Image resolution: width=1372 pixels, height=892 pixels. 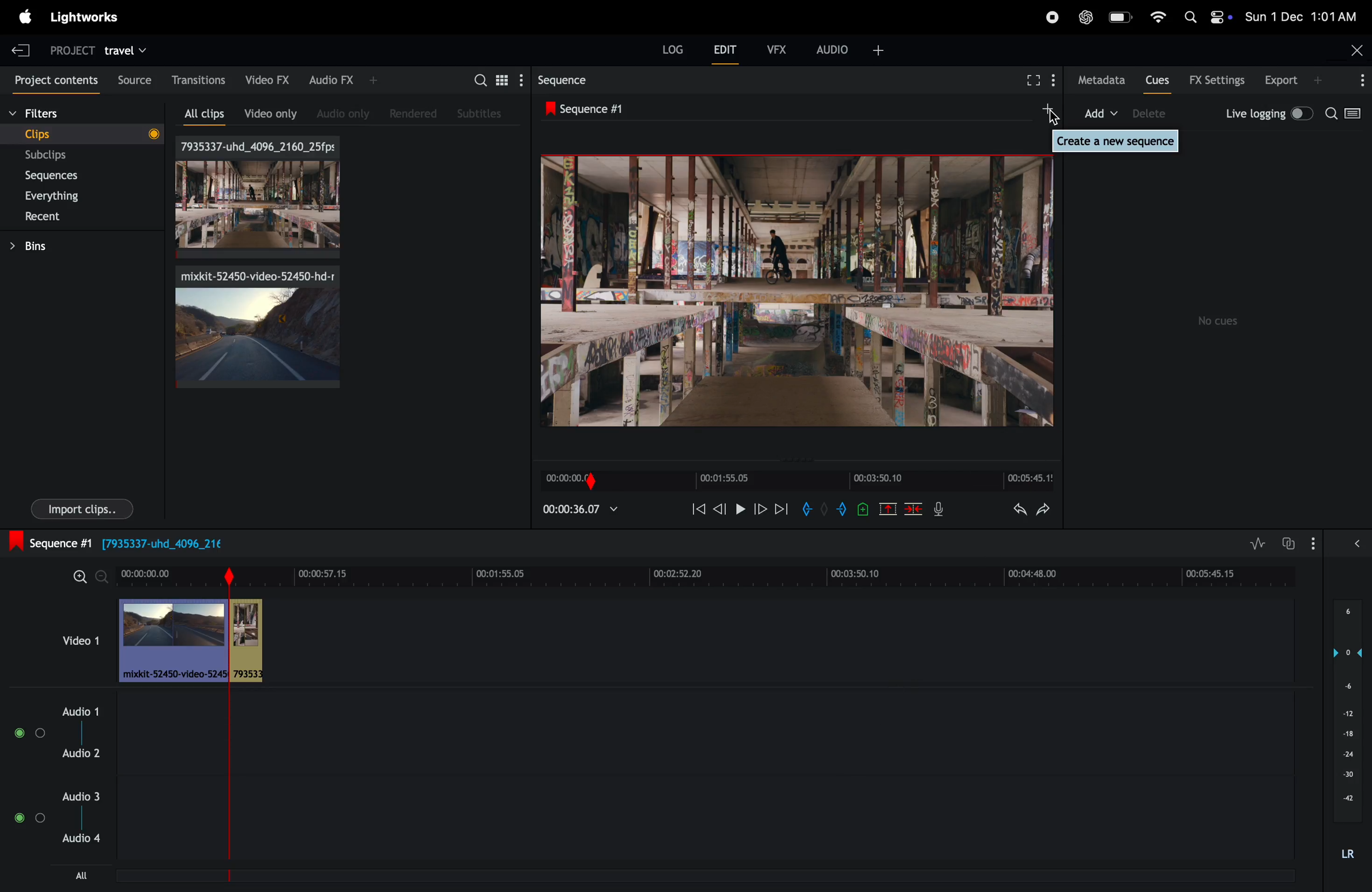 I want to click on Audio 2, so click(x=83, y=755).